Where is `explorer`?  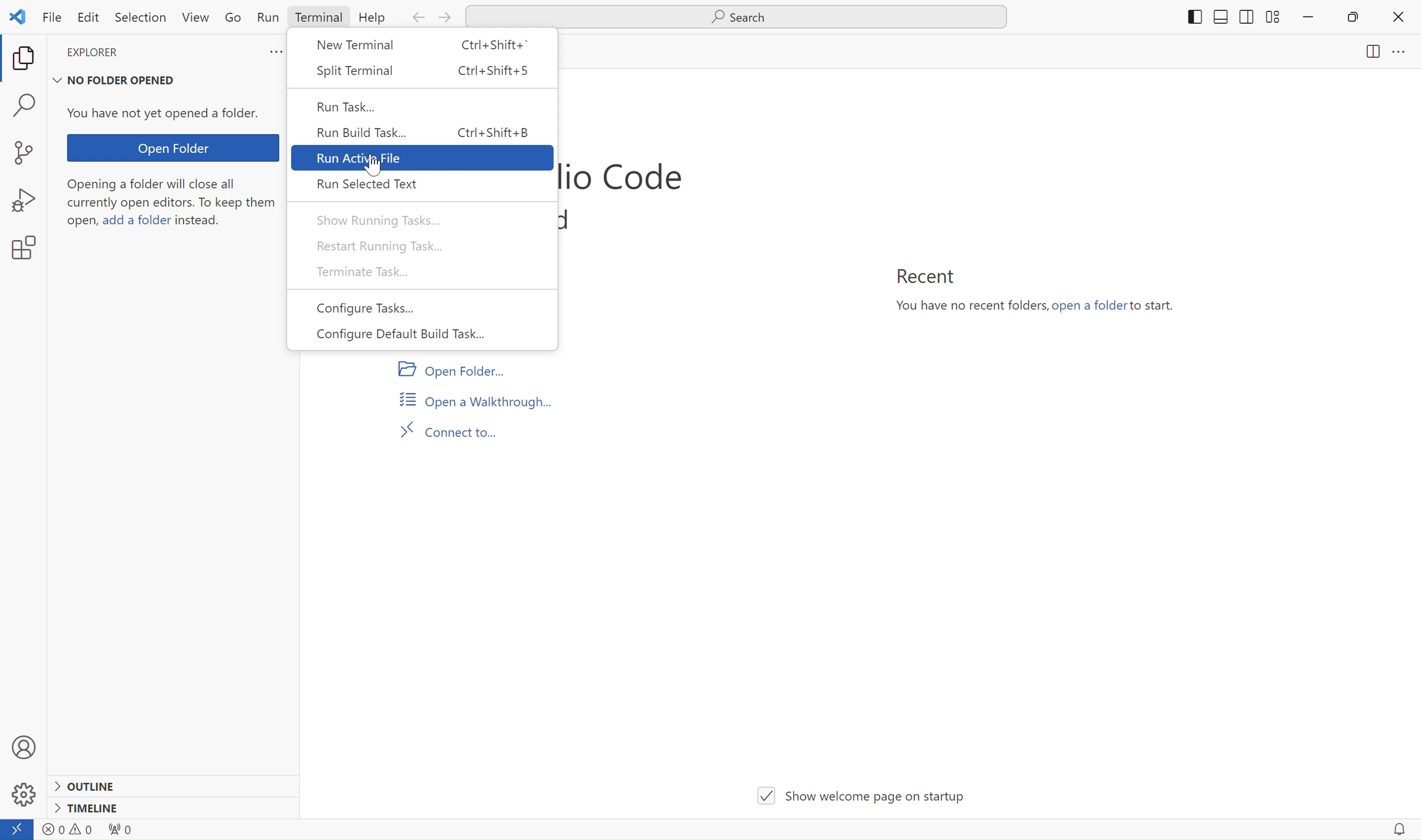 explorer is located at coordinates (116, 53).